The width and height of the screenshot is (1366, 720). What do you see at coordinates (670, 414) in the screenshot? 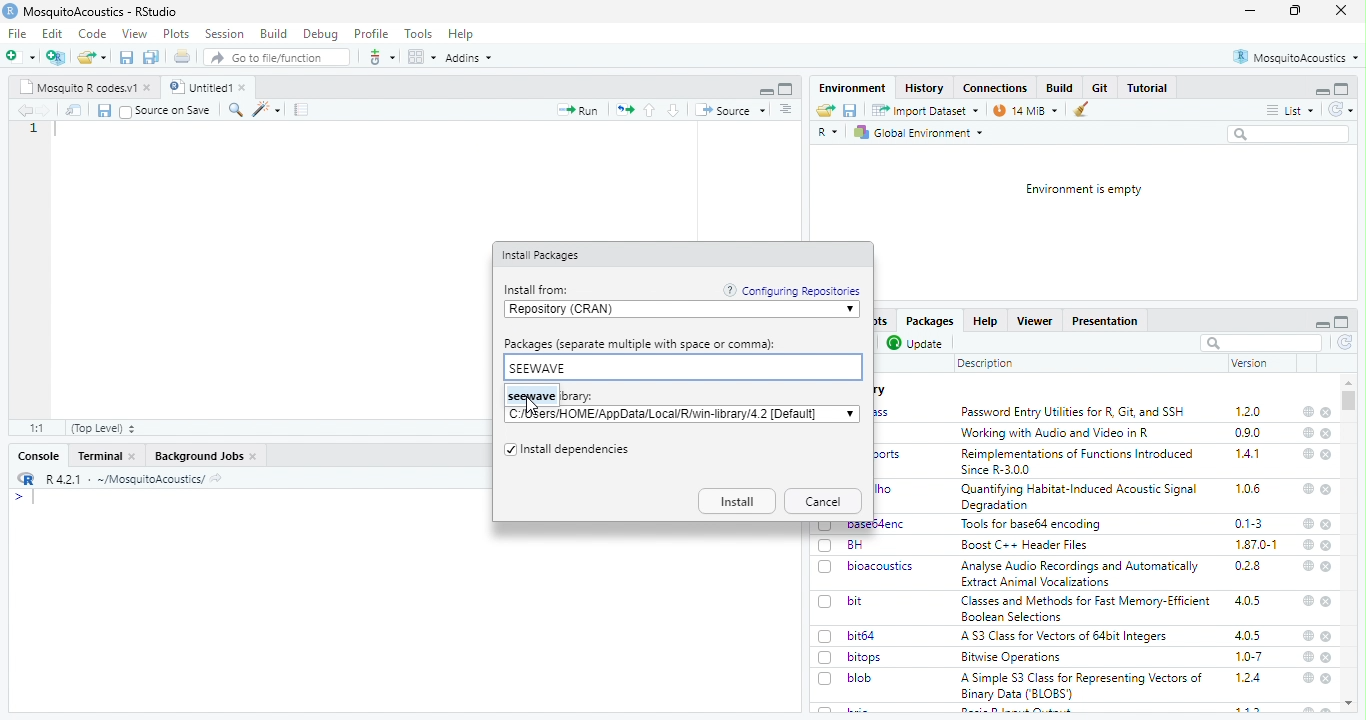
I see `C:/Users/HOME/AppData/Local/R/win-library/4.2 [Default]` at bounding box center [670, 414].